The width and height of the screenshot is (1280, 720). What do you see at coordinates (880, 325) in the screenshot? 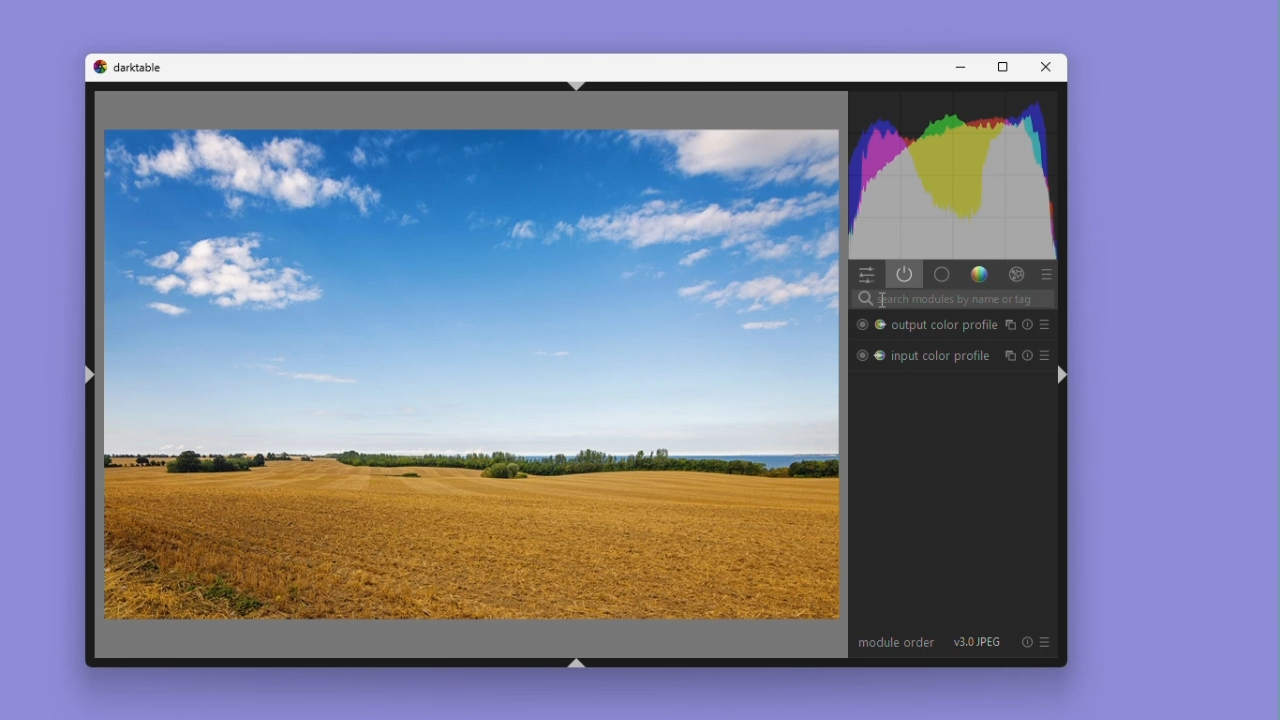
I see `Color Calibration` at bounding box center [880, 325].